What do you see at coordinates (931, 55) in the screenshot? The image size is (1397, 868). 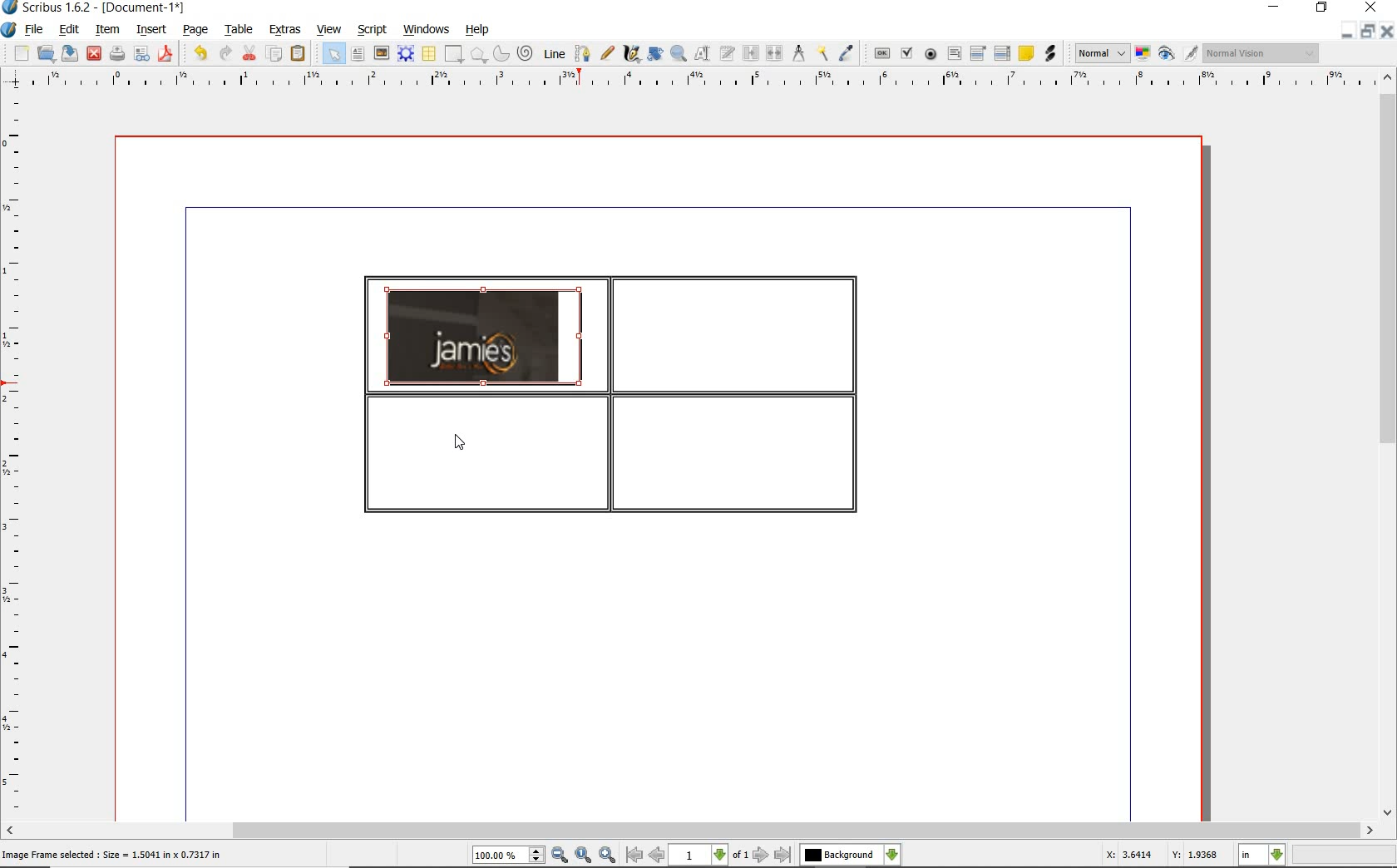 I see `pdf radio box` at bounding box center [931, 55].